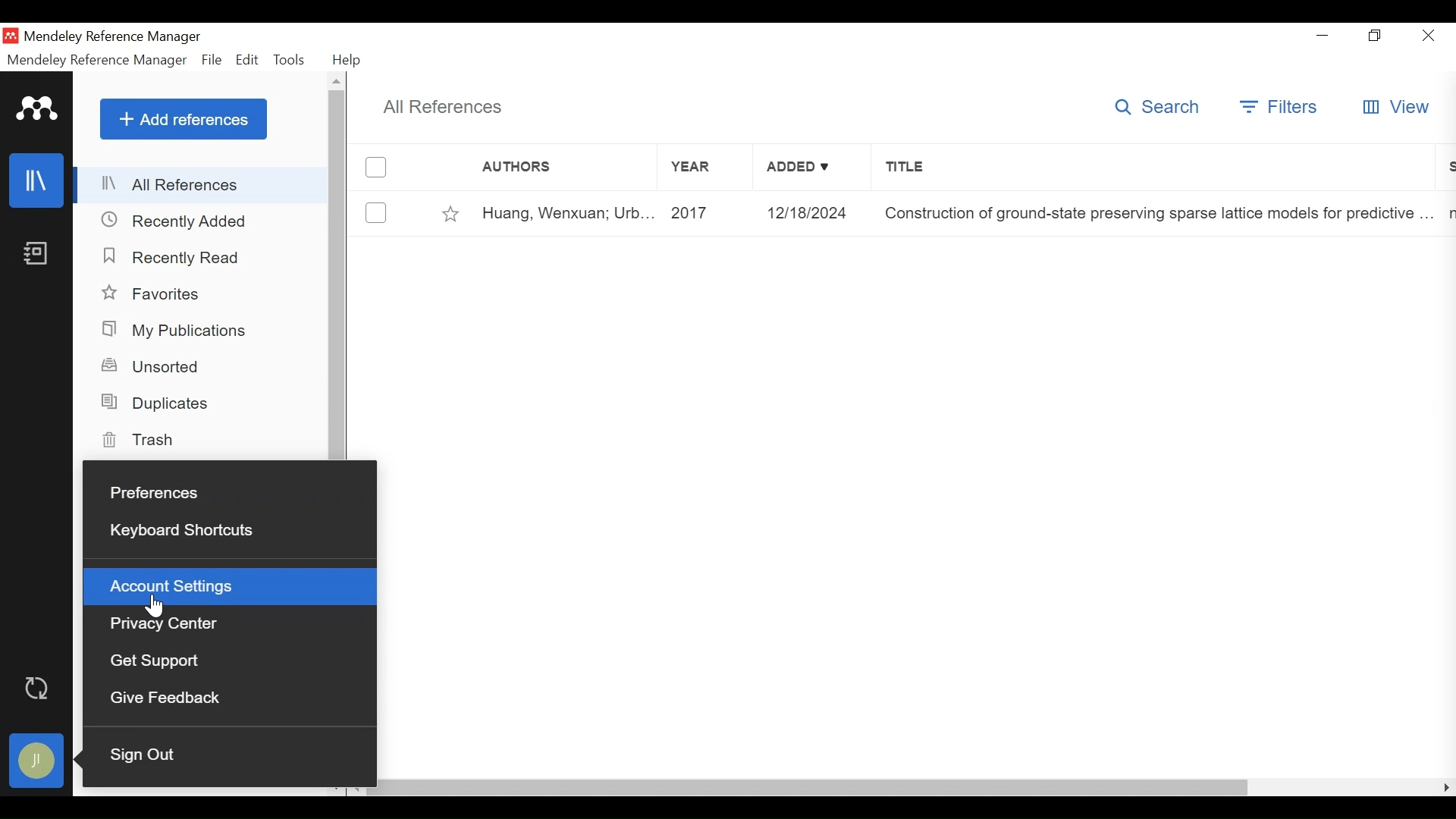 The width and height of the screenshot is (1456, 819). I want to click on Get Support, so click(230, 660).